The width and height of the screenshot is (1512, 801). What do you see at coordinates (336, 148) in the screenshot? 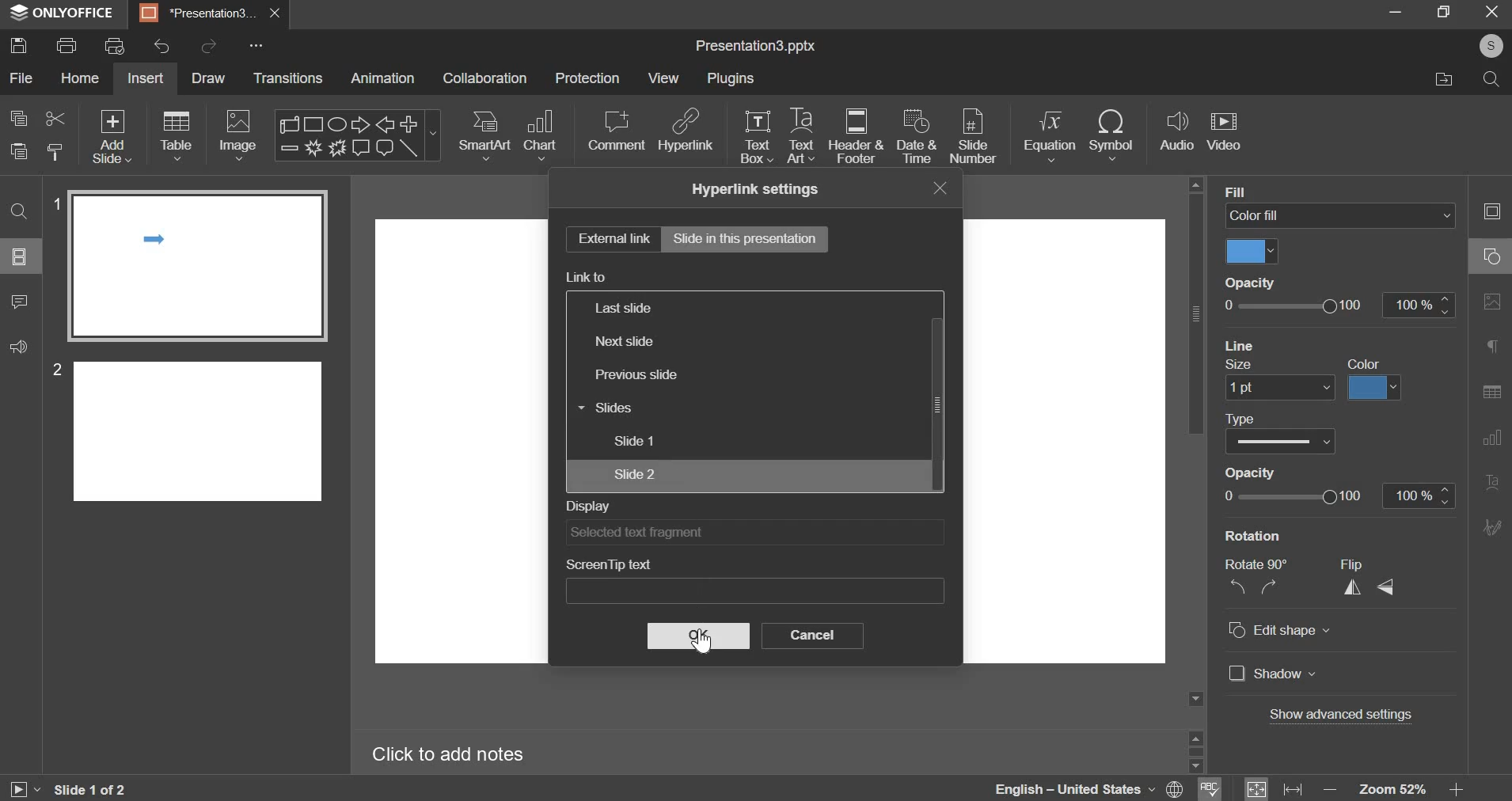
I see `explosion 2` at bounding box center [336, 148].